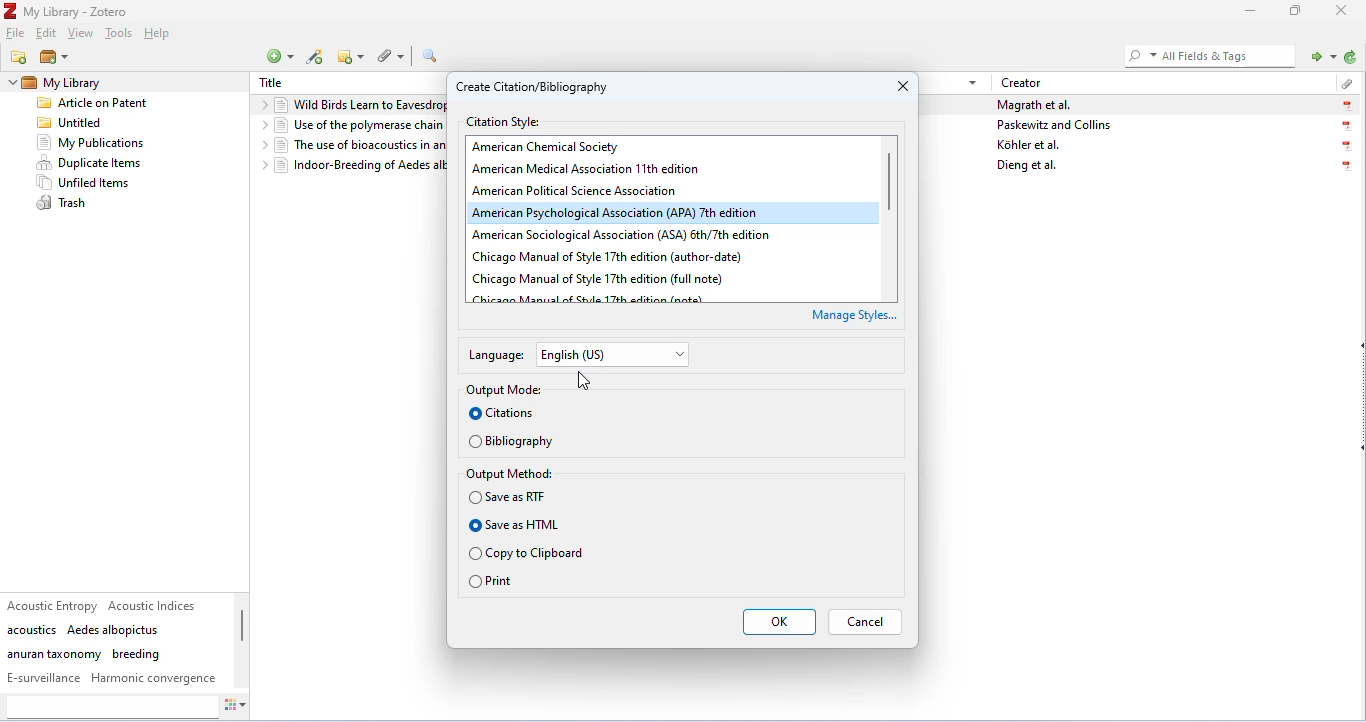 Image resolution: width=1366 pixels, height=722 pixels. Describe the element at coordinates (88, 183) in the screenshot. I see `unfiled items` at that location.